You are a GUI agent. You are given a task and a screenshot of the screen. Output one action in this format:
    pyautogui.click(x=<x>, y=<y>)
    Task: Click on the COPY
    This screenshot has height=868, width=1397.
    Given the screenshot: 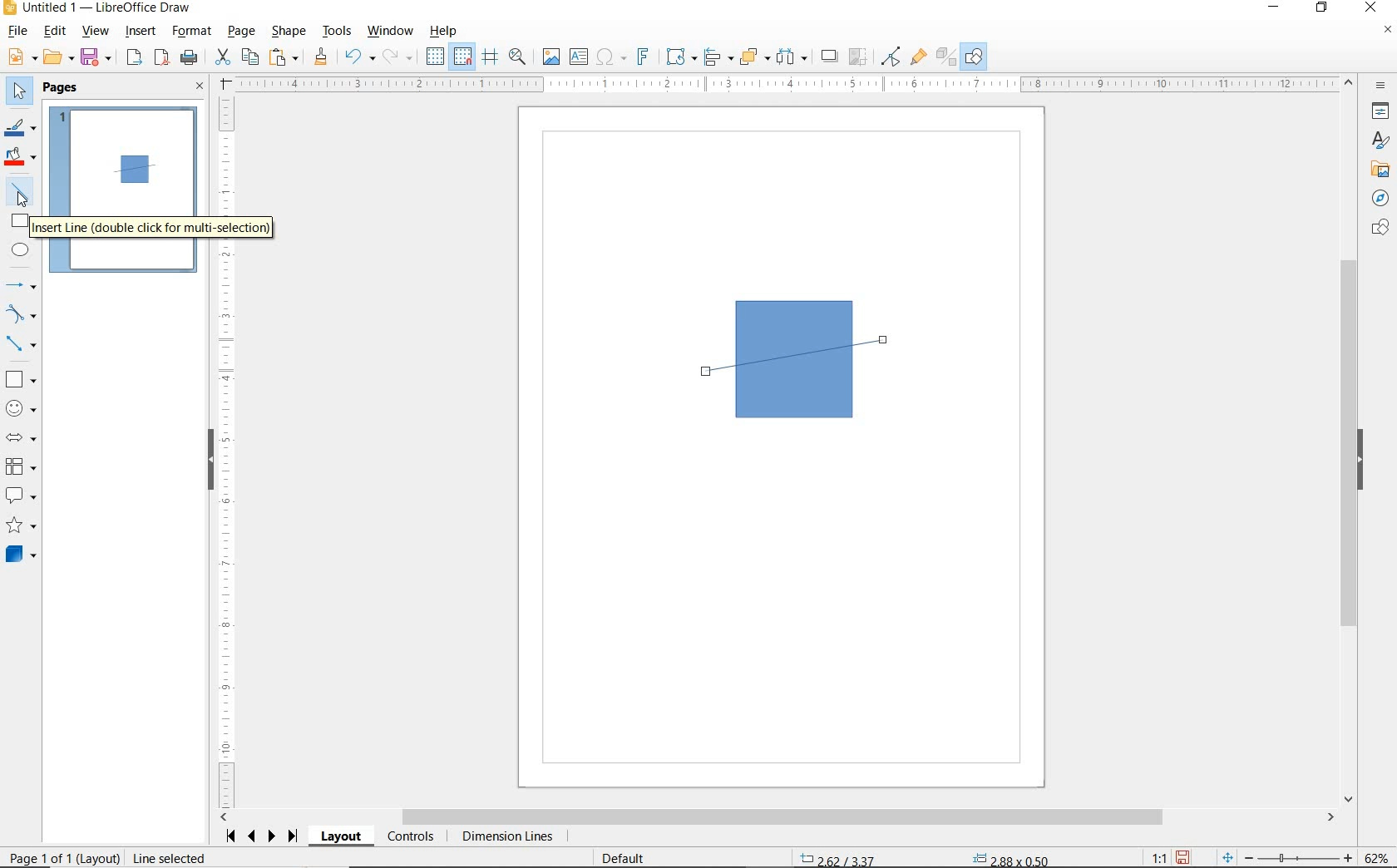 What is the action you would take?
    pyautogui.click(x=249, y=57)
    